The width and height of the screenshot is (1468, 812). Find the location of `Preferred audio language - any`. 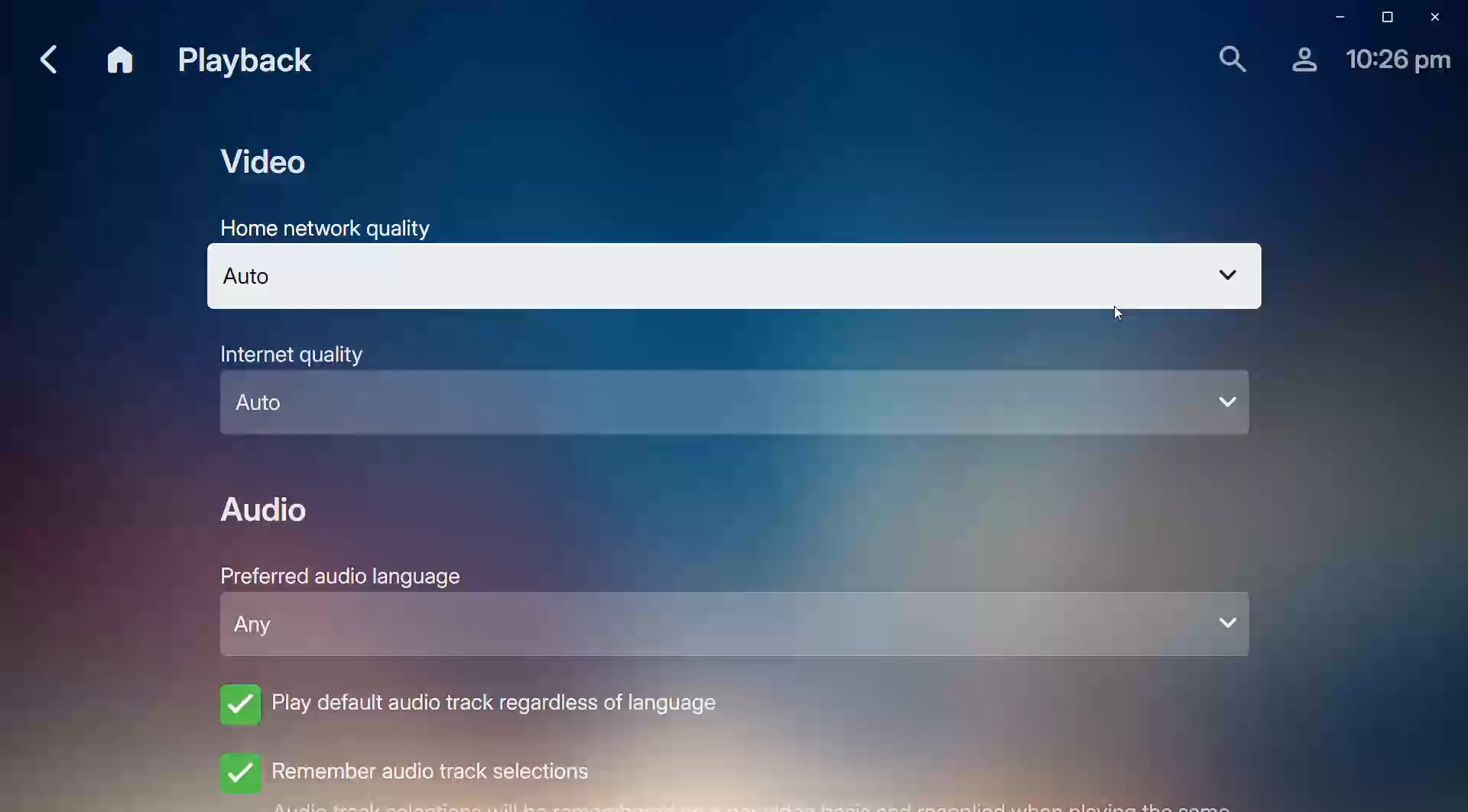

Preferred audio language - any is located at coordinates (734, 616).